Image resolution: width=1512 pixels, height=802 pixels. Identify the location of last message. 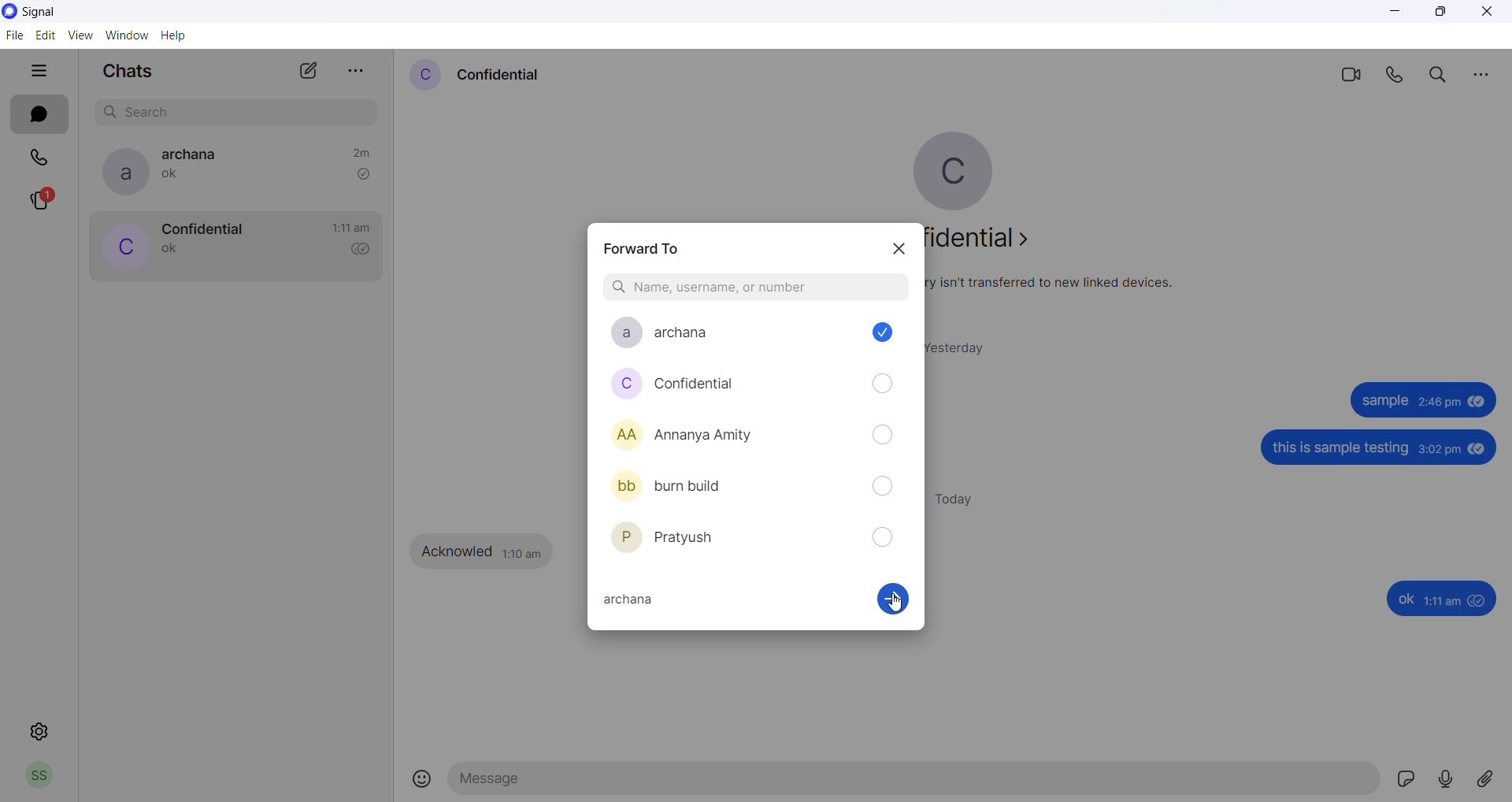
(174, 177).